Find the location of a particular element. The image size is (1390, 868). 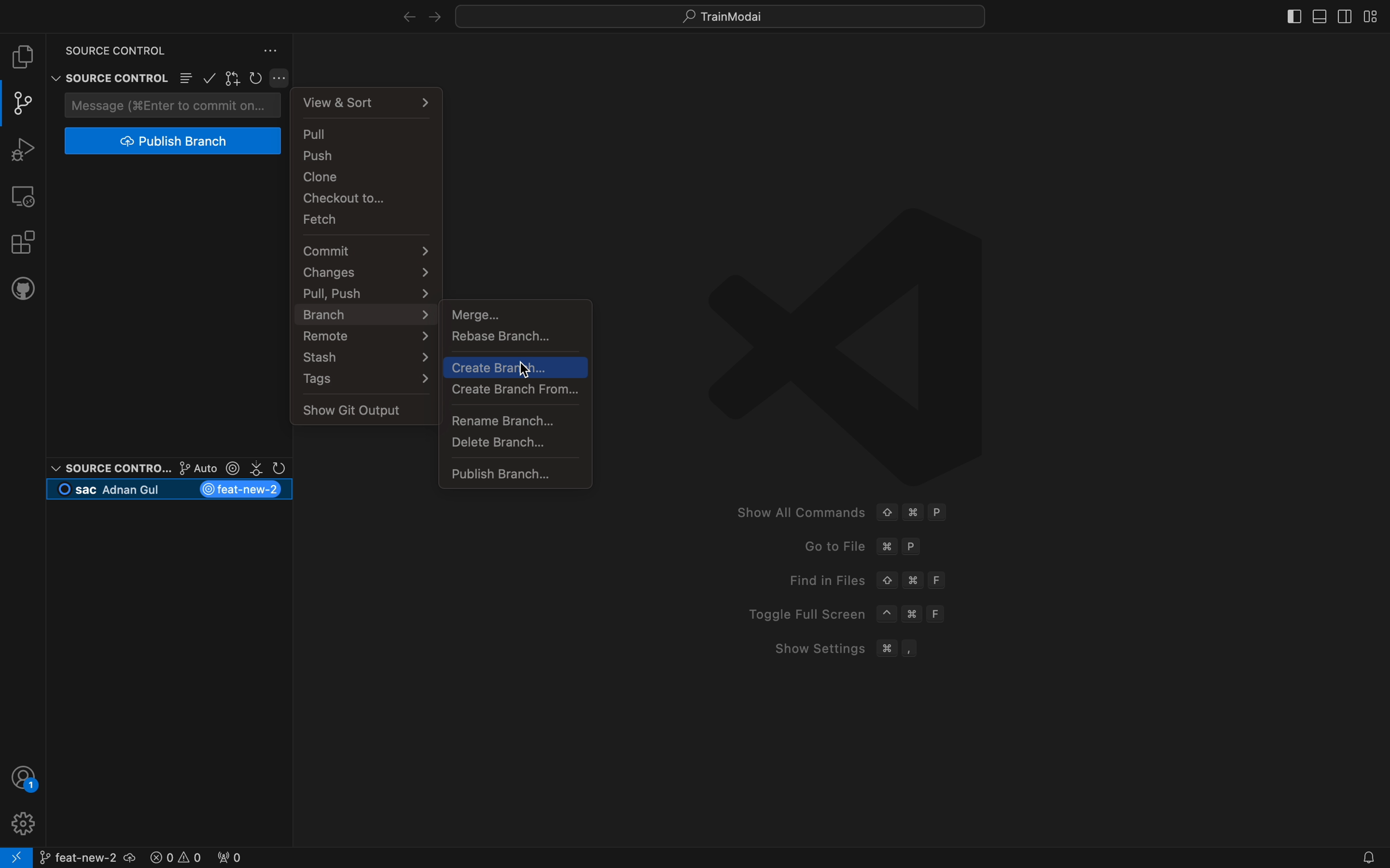

create a branch is located at coordinates (516, 367).